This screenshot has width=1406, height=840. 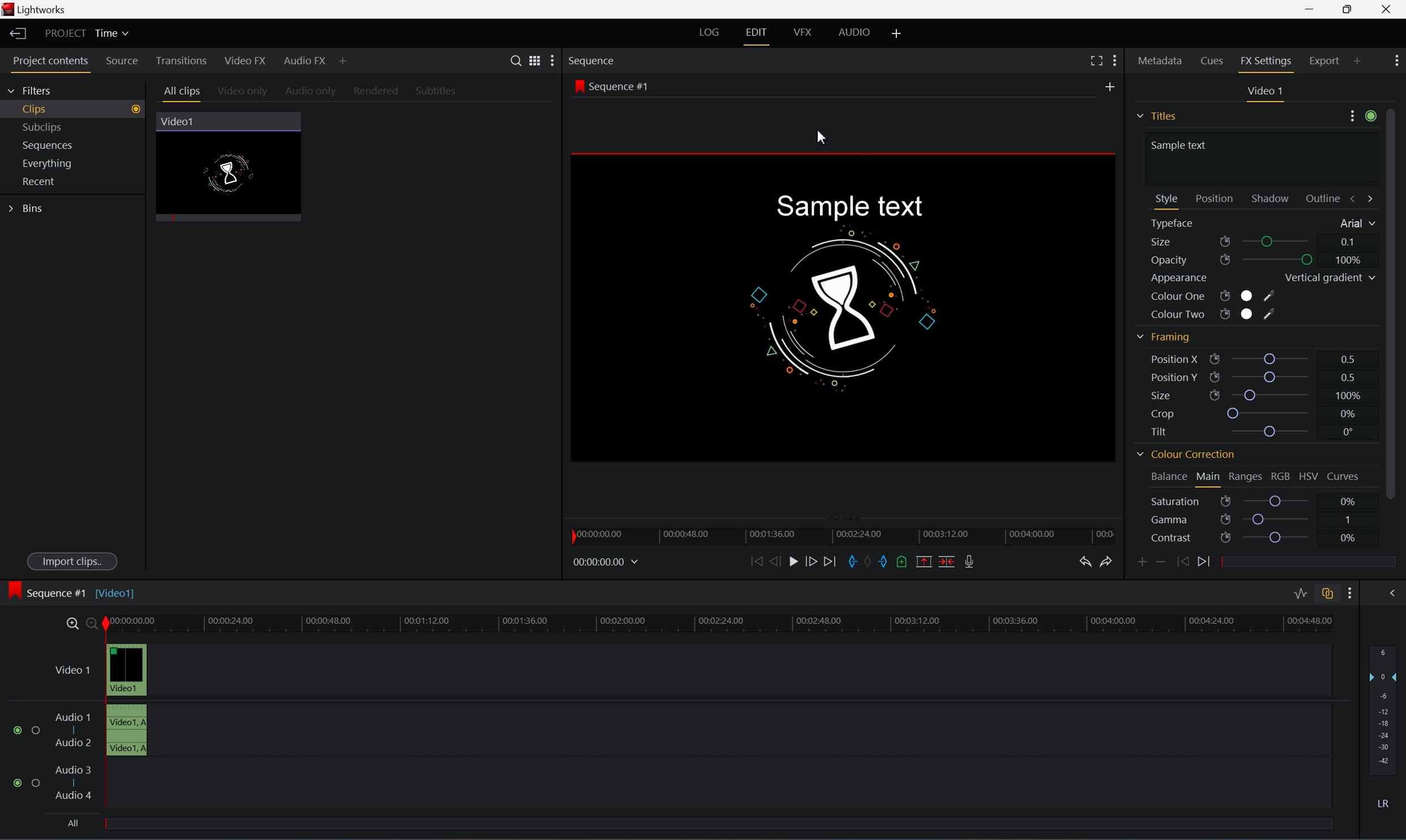 What do you see at coordinates (1167, 198) in the screenshot?
I see `style` at bounding box center [1167, 198].